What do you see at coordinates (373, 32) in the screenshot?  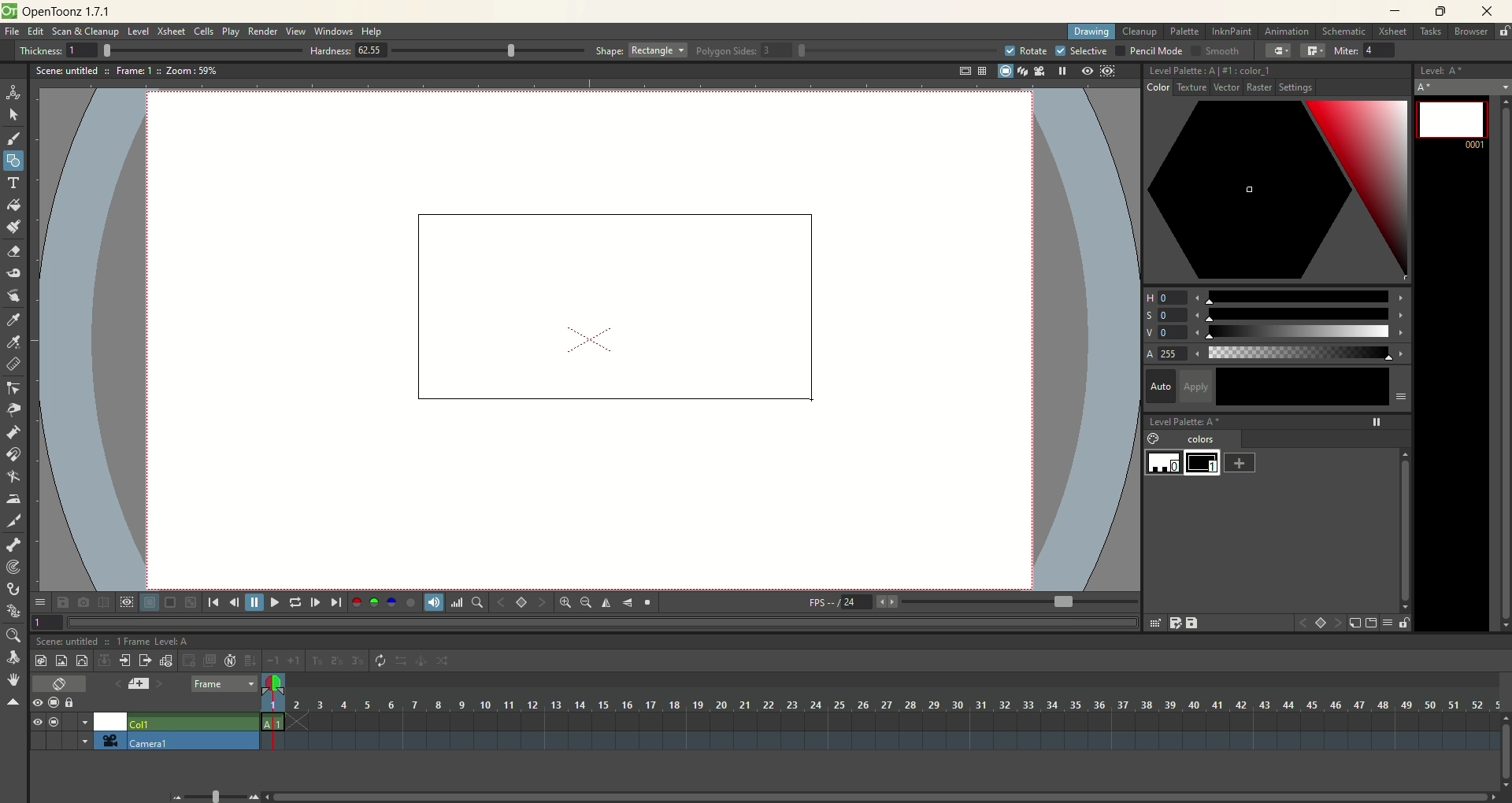 I see `help` at bounding box center [373, 32].